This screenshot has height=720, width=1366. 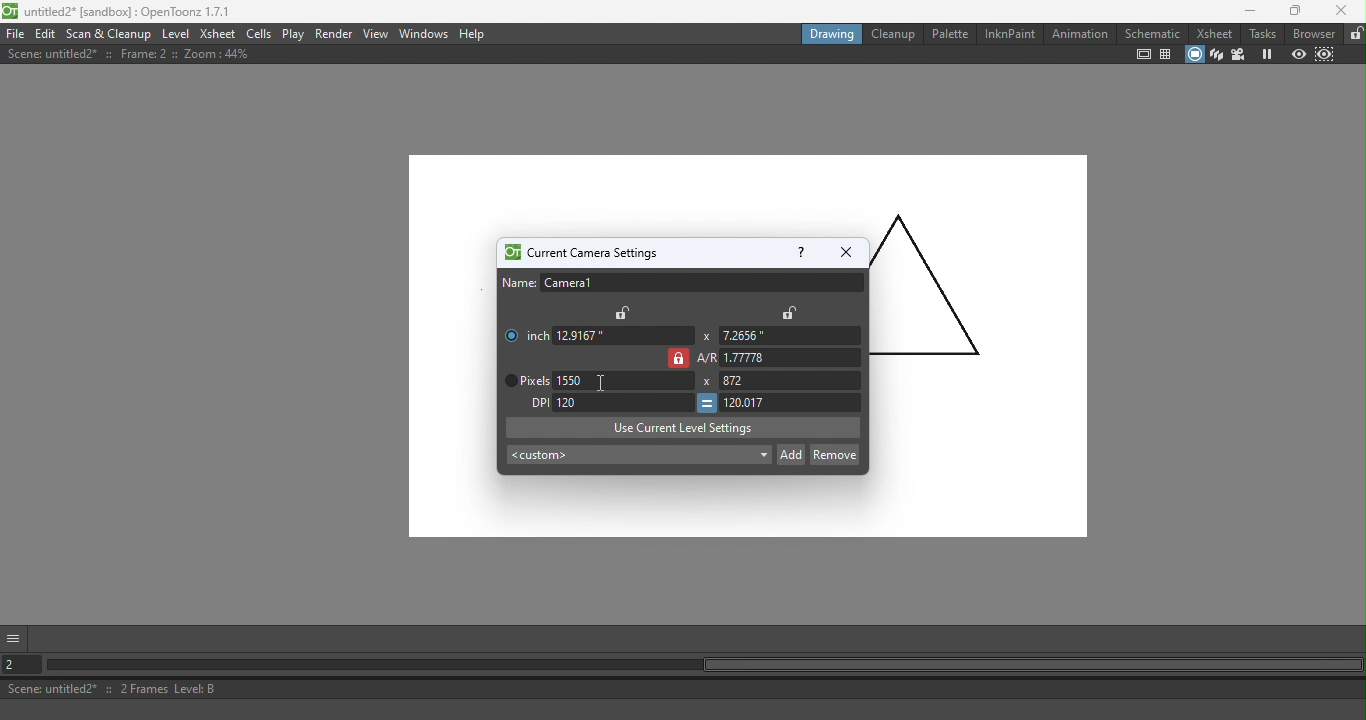 I want to click on Field guide, so click(x=1165, y=55).